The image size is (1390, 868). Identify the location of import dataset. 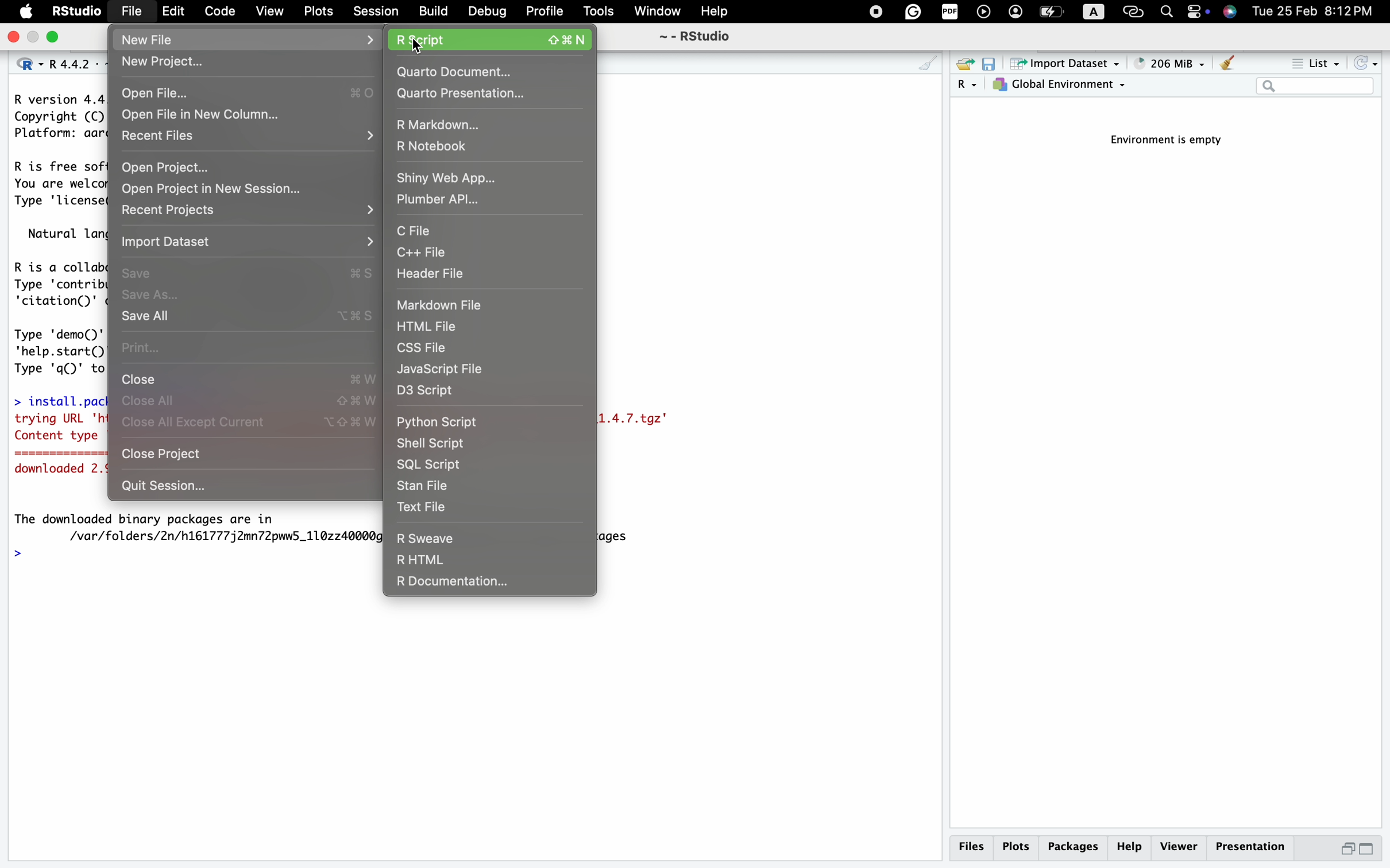
(1065, 64).